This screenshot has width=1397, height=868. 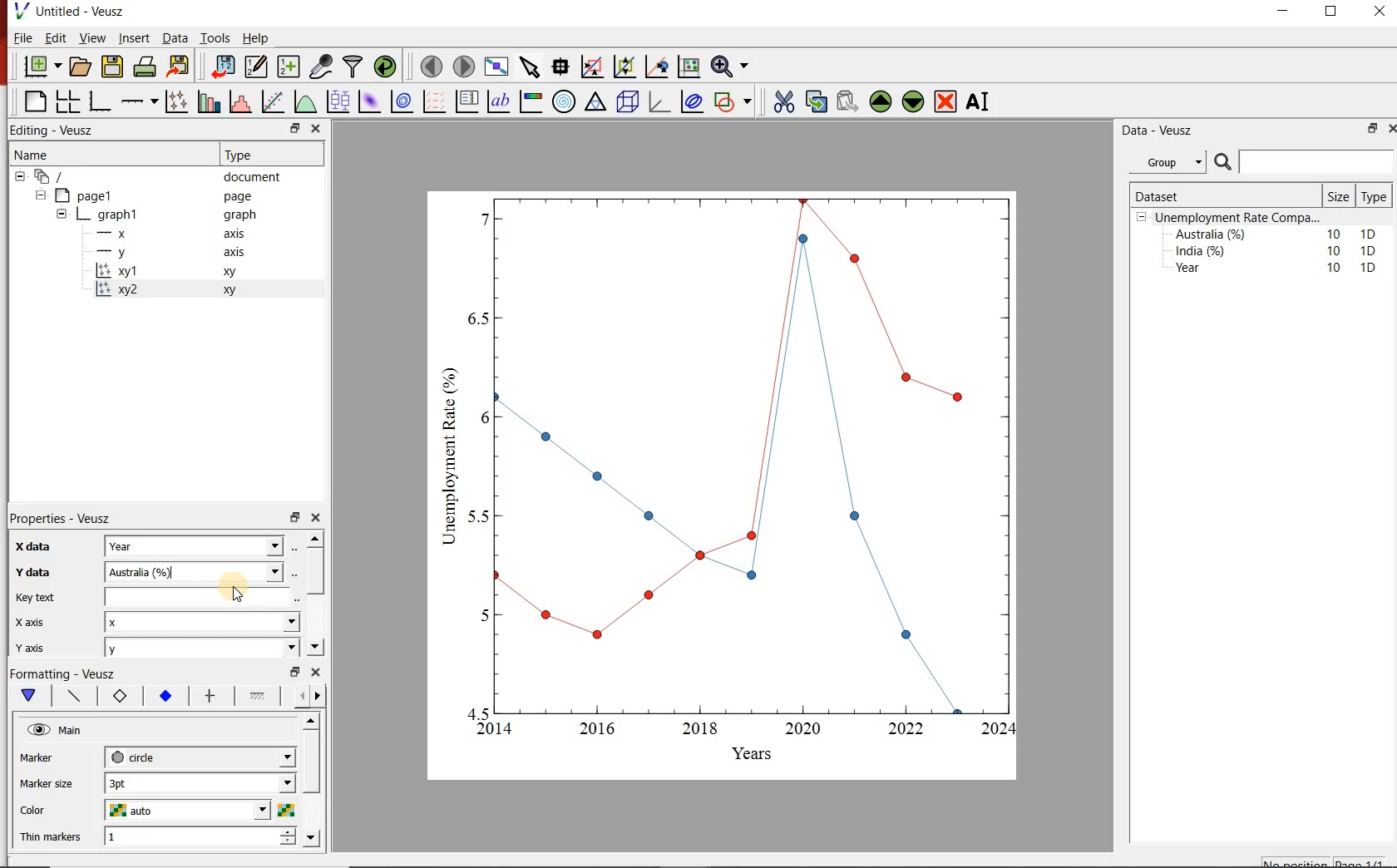 I want to click on add a shapes, so click(x=733, y=101).